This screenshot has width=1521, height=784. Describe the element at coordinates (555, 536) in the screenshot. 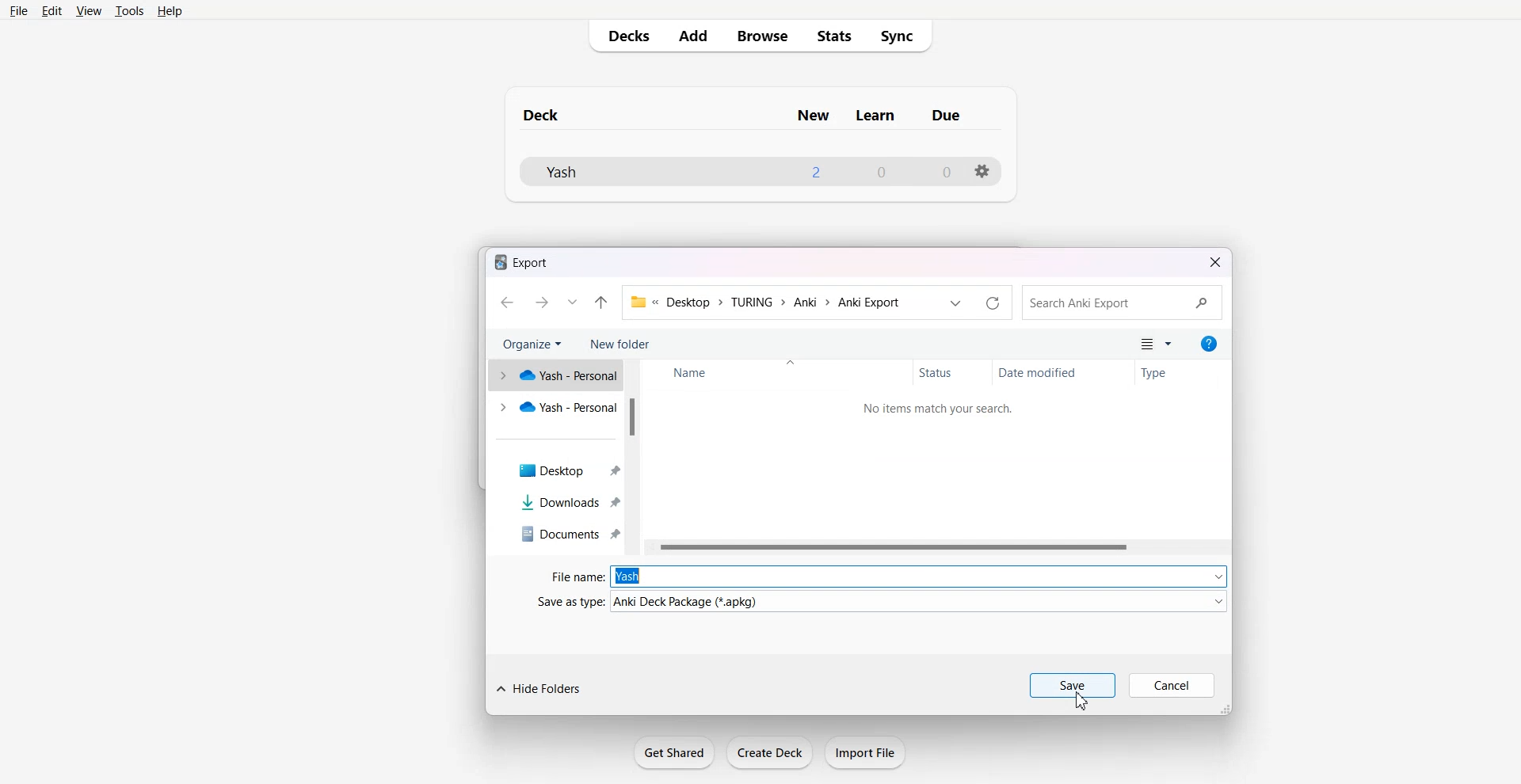

I see `Documents` at that location.